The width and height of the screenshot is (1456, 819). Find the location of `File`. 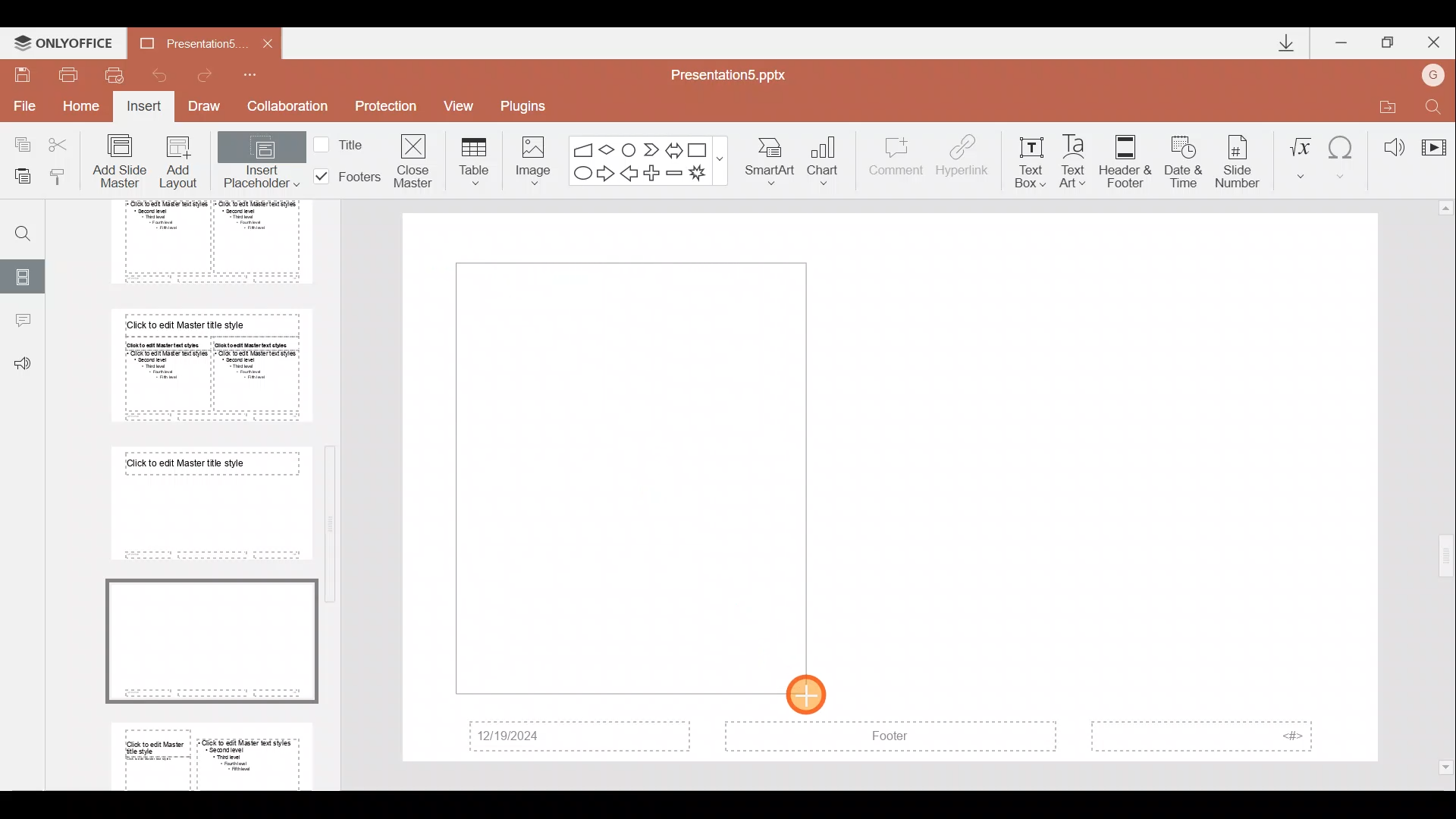

File is located at coordinates (22, 105).